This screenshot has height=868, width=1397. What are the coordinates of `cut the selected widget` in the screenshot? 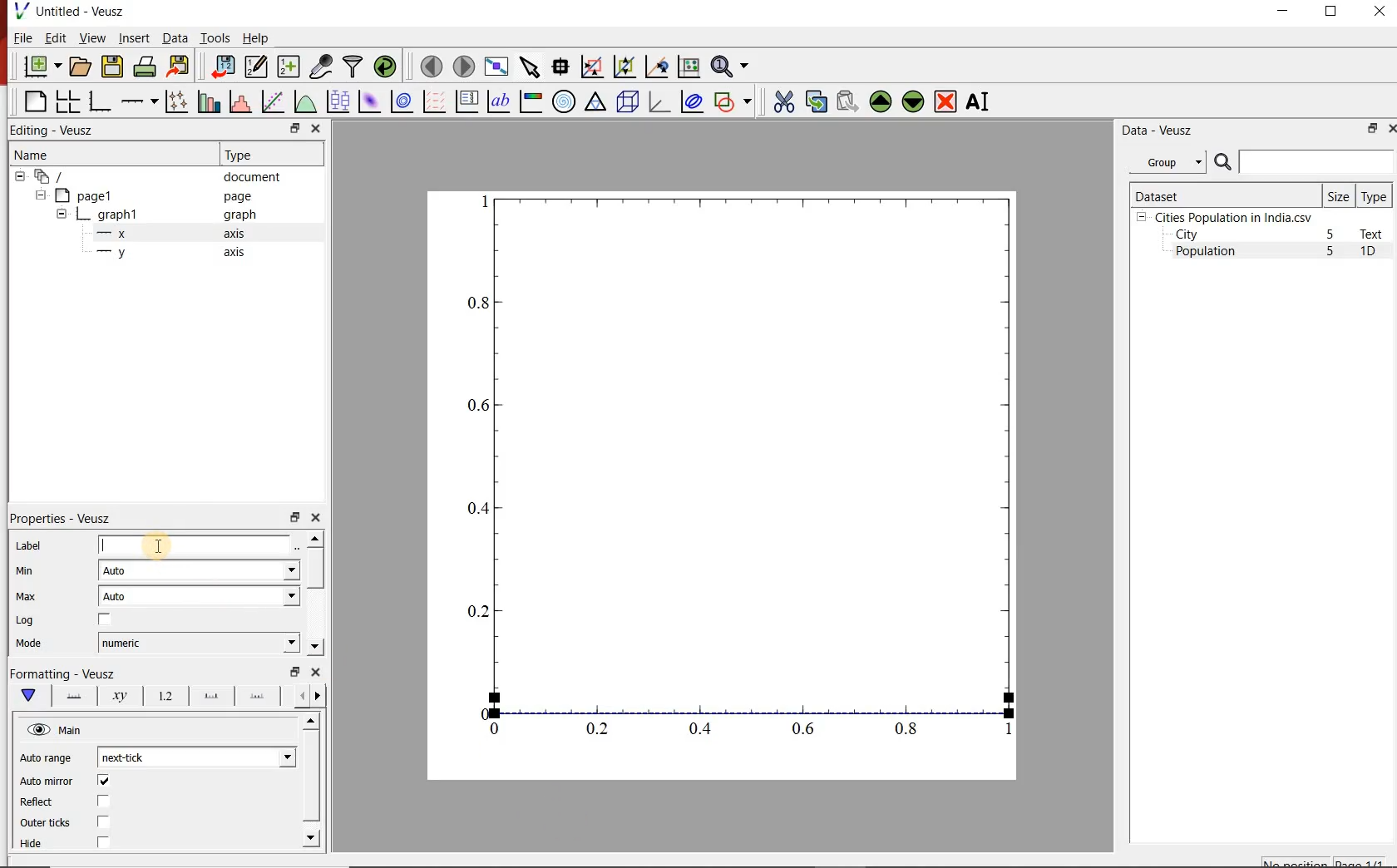 It's located at (781, 101).